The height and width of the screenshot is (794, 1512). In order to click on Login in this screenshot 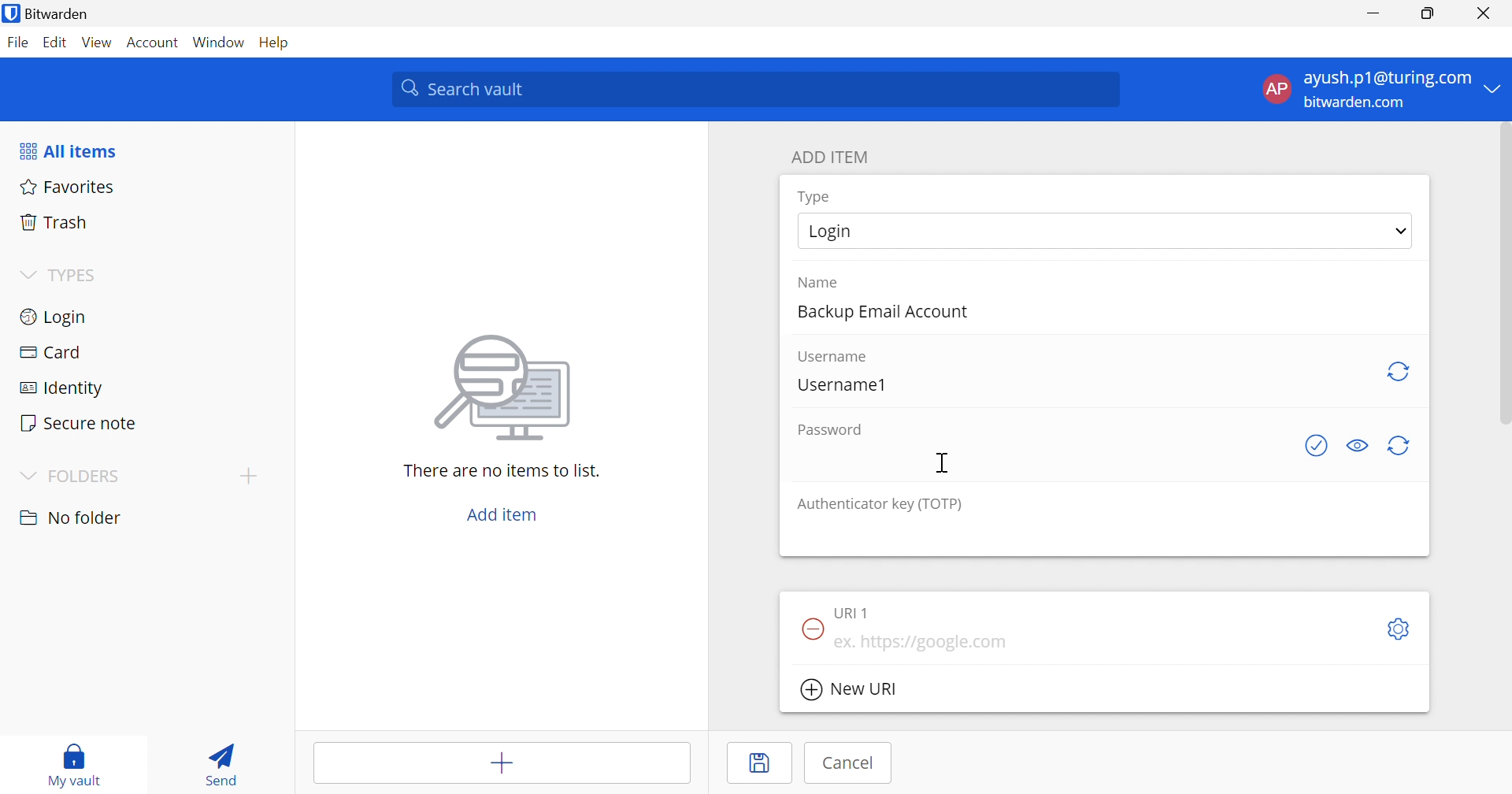, I will do `click(56, 317)`.